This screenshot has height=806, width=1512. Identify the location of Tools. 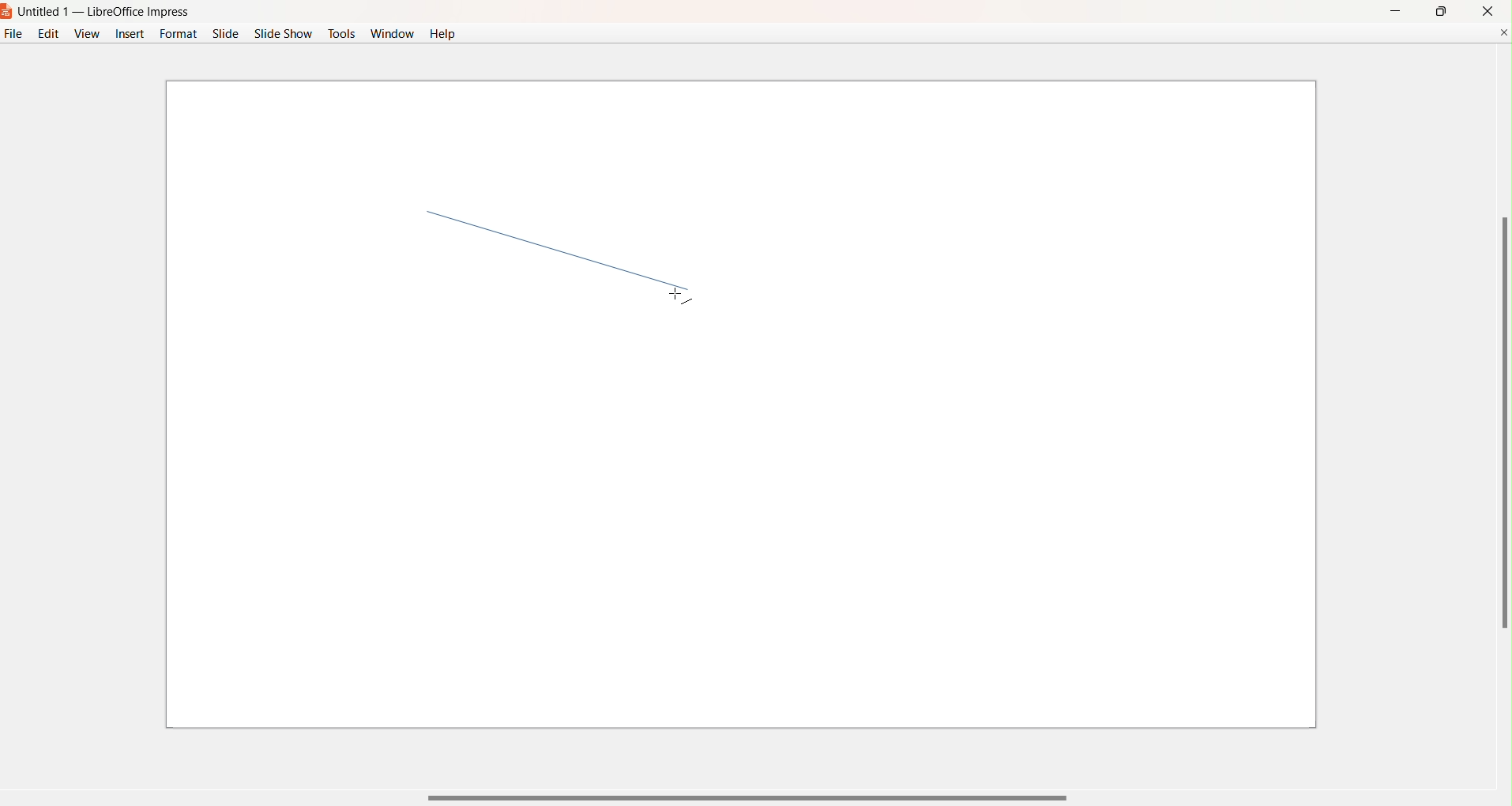
(342, 32).